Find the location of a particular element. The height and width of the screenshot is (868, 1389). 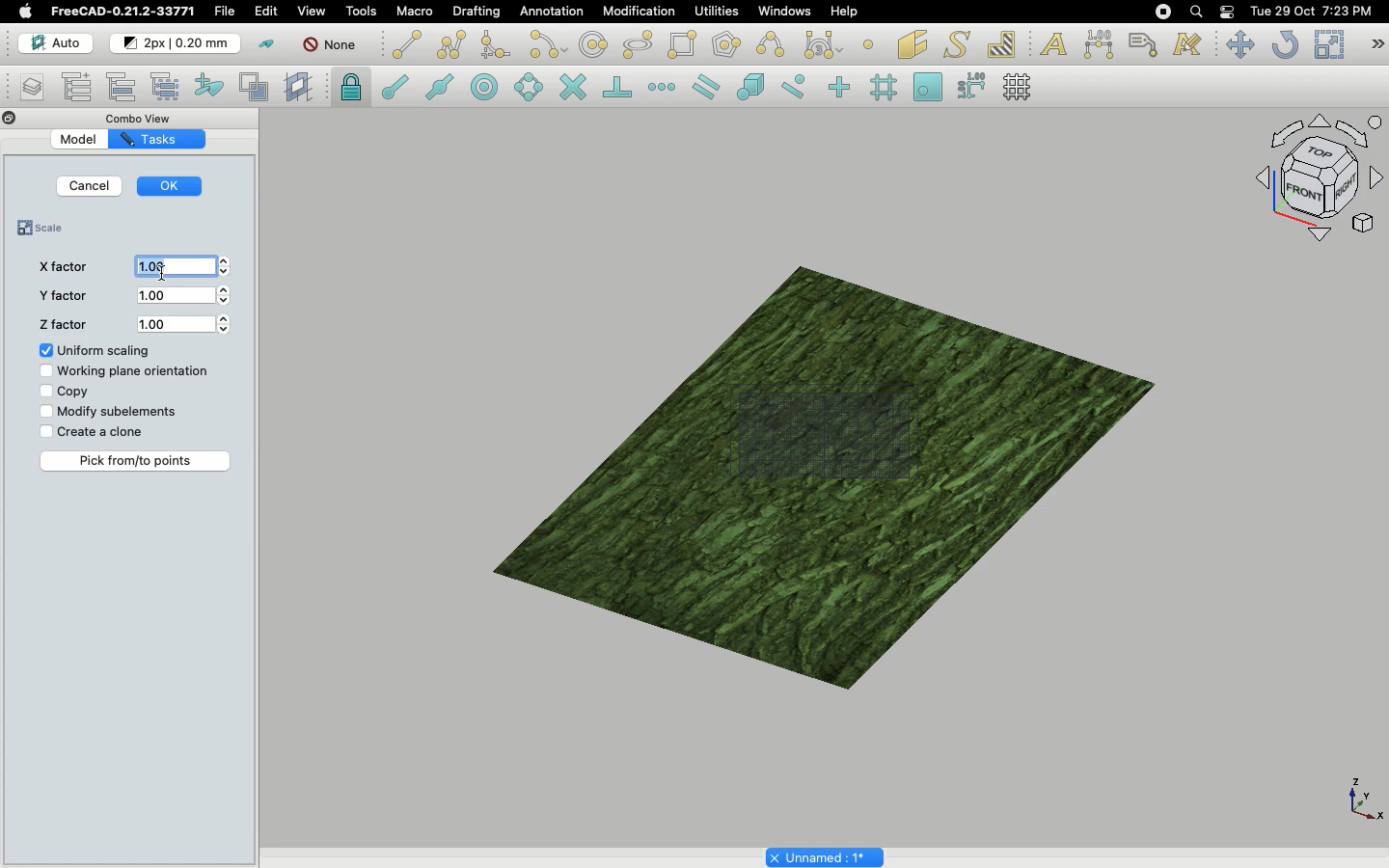

Refresh is located at coordinates (1284, 44).